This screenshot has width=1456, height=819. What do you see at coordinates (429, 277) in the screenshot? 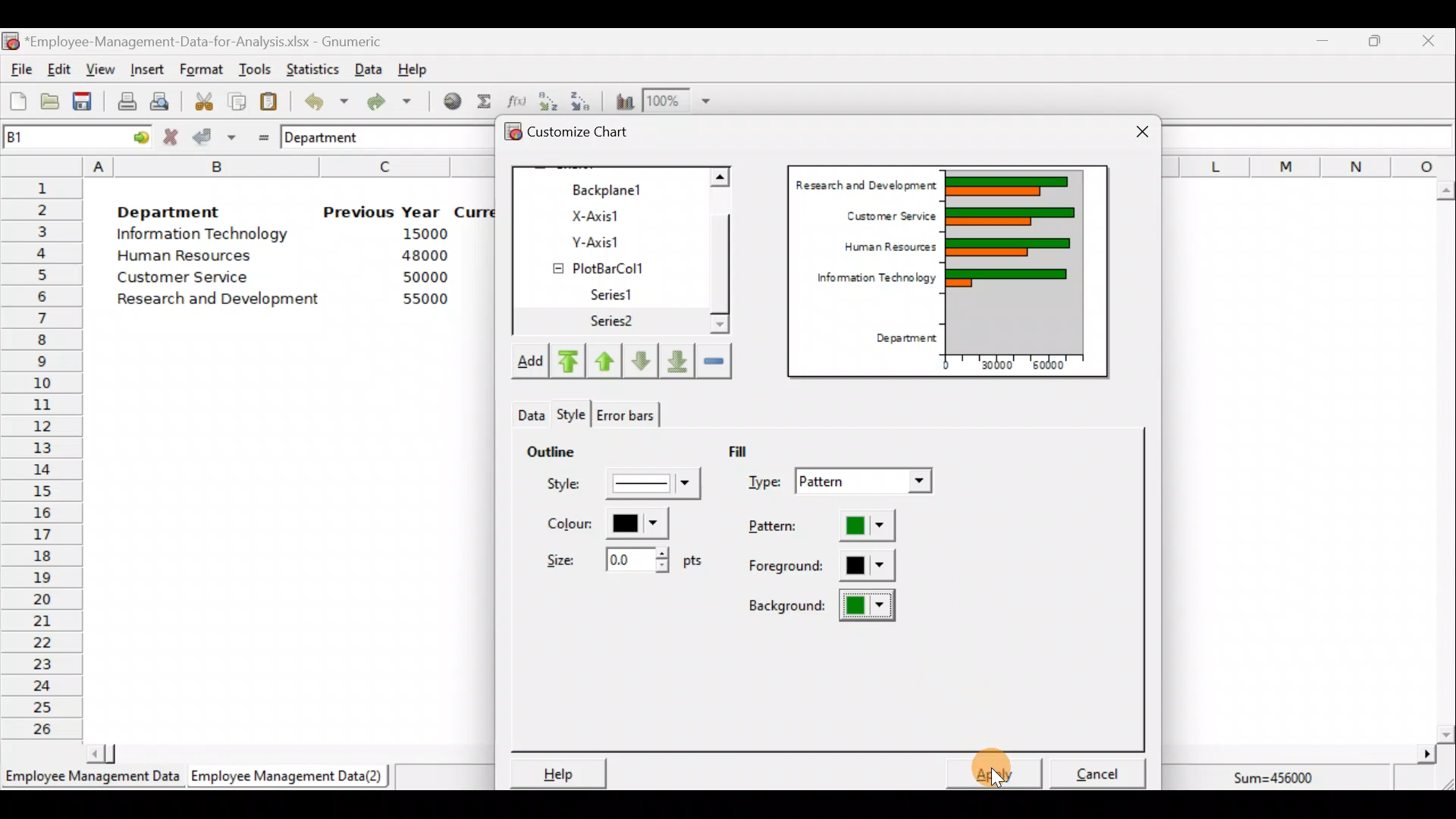
I see `50000` at bounding box center [429, 277].